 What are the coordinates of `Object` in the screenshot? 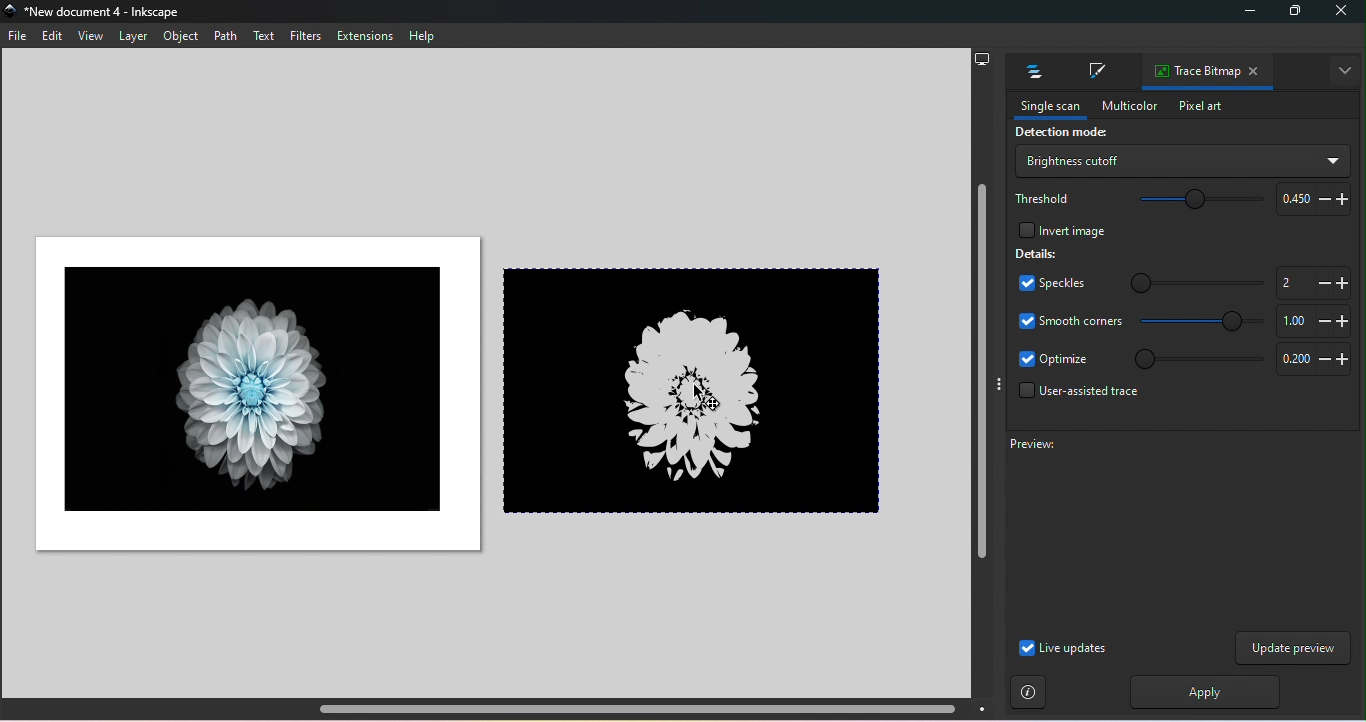 It's located at (183, 38).